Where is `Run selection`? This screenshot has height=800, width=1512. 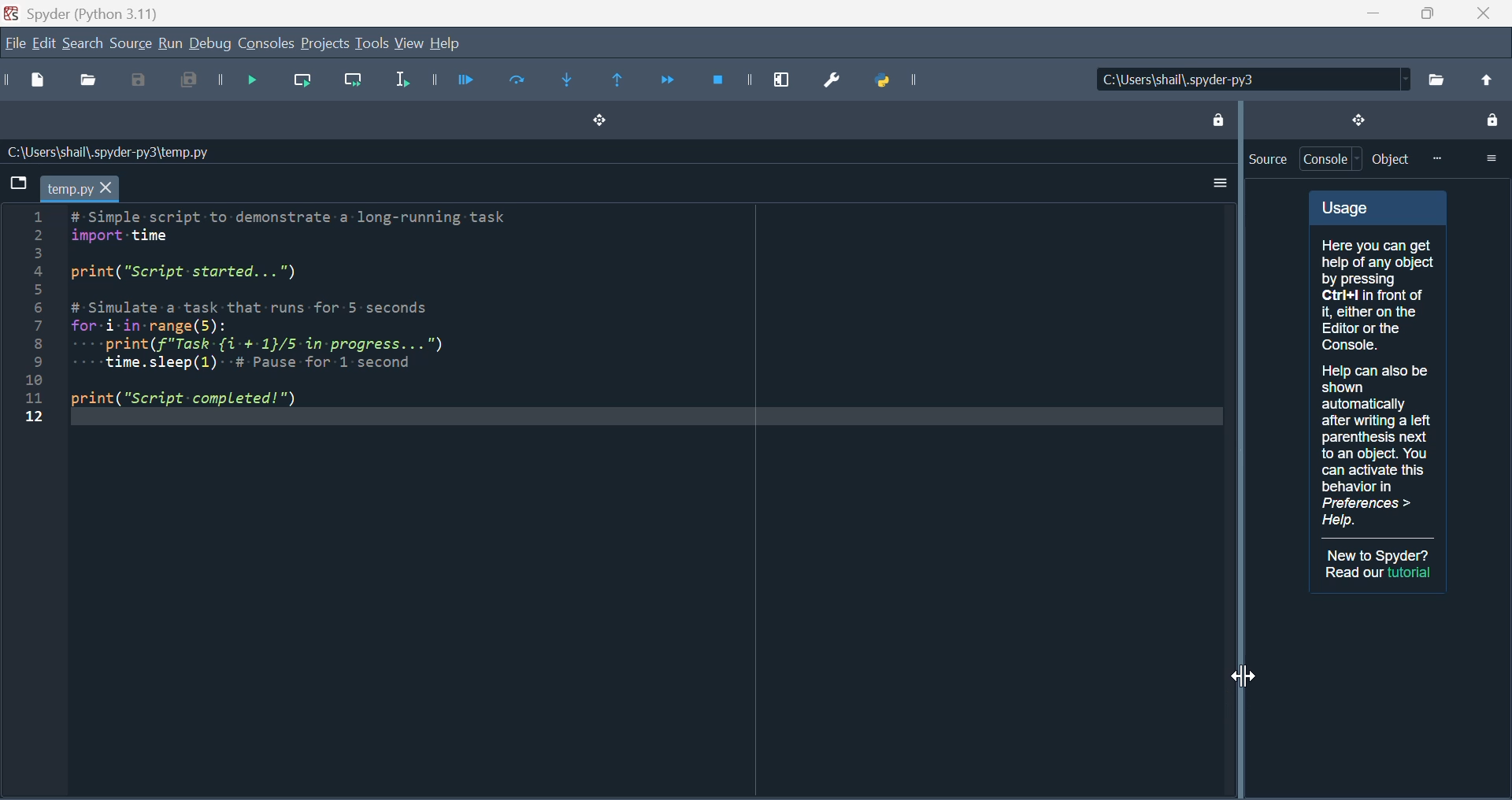 Run selection is located at coordinates (399, 83).